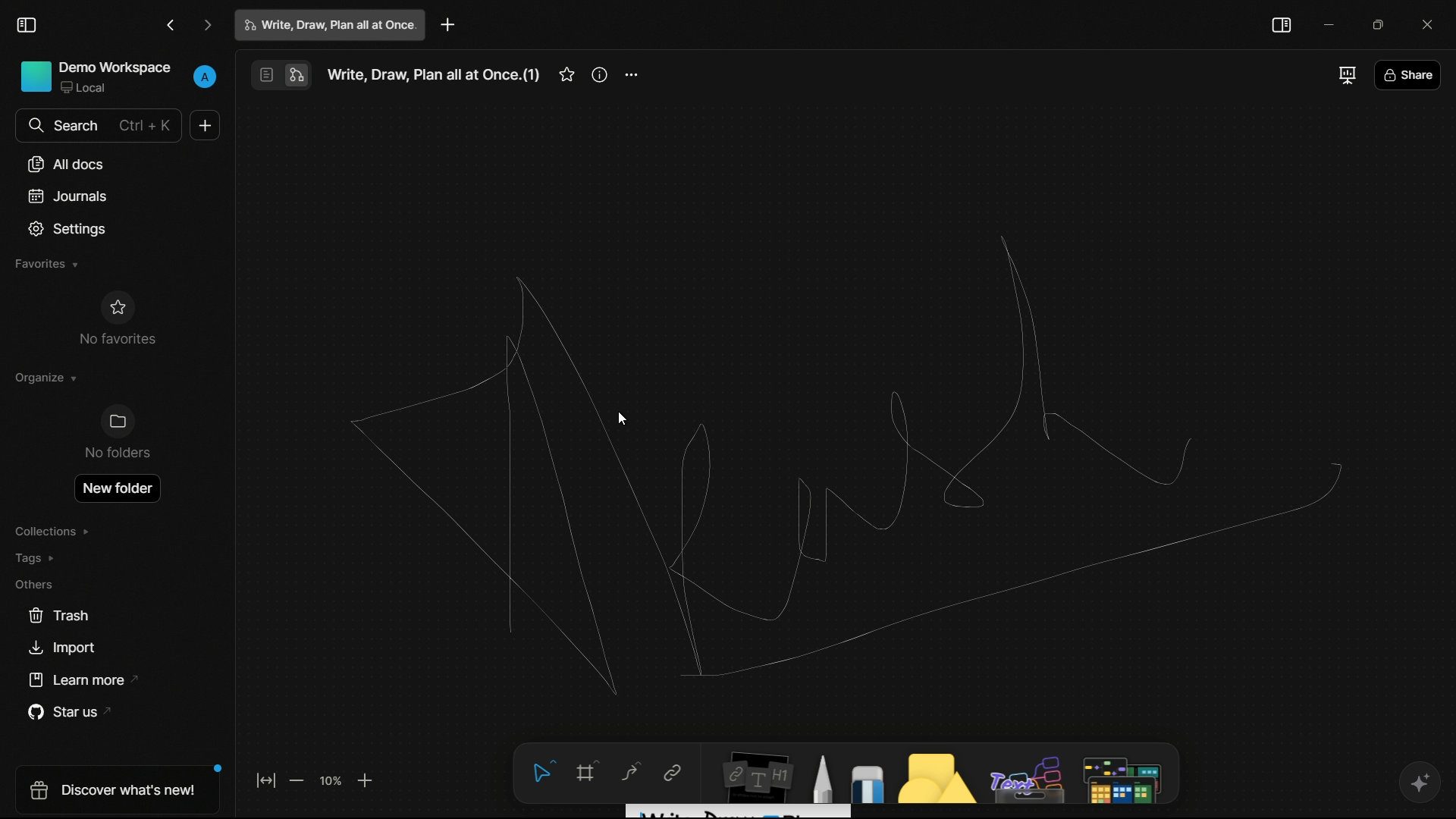 This screenshot has width=1456, height=819. What do you see at coordinates (450, 27) in the screenshot?
I see `new project` at bounding box center [450, 27].